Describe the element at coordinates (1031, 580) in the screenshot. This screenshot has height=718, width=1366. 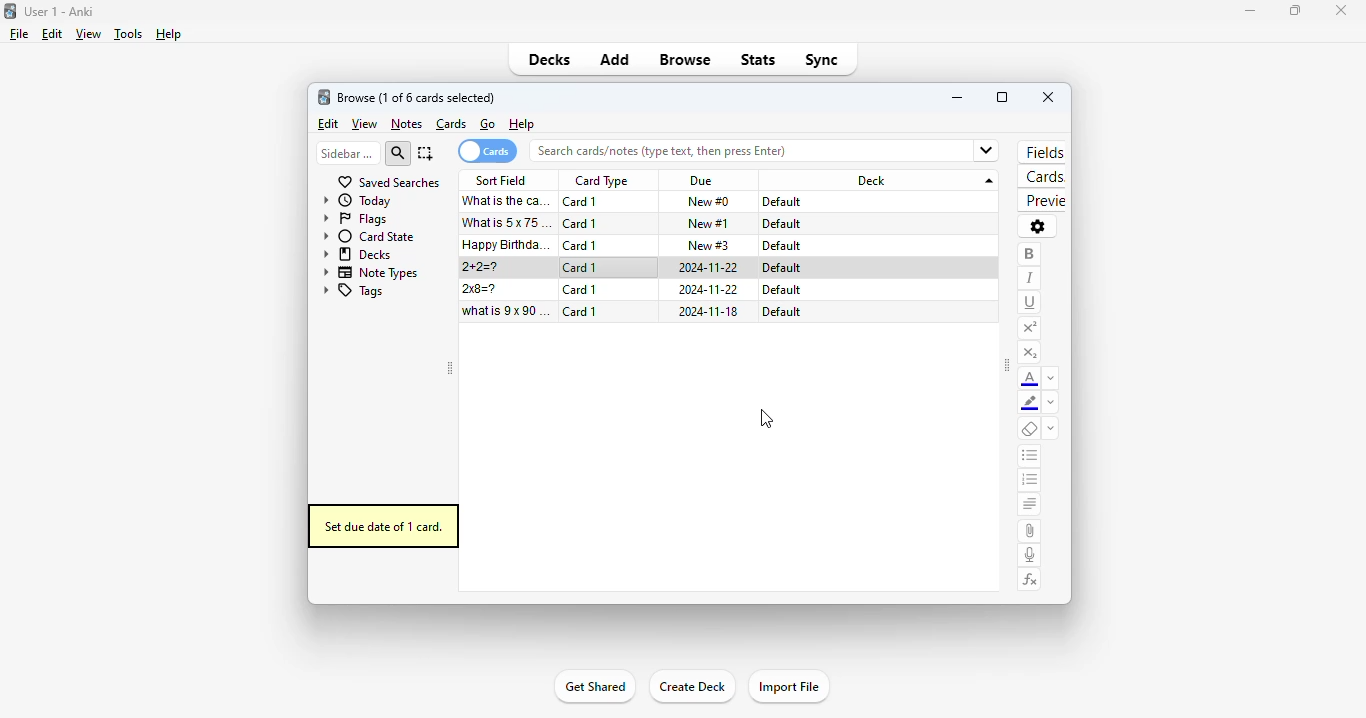
I see `equations` at that location.